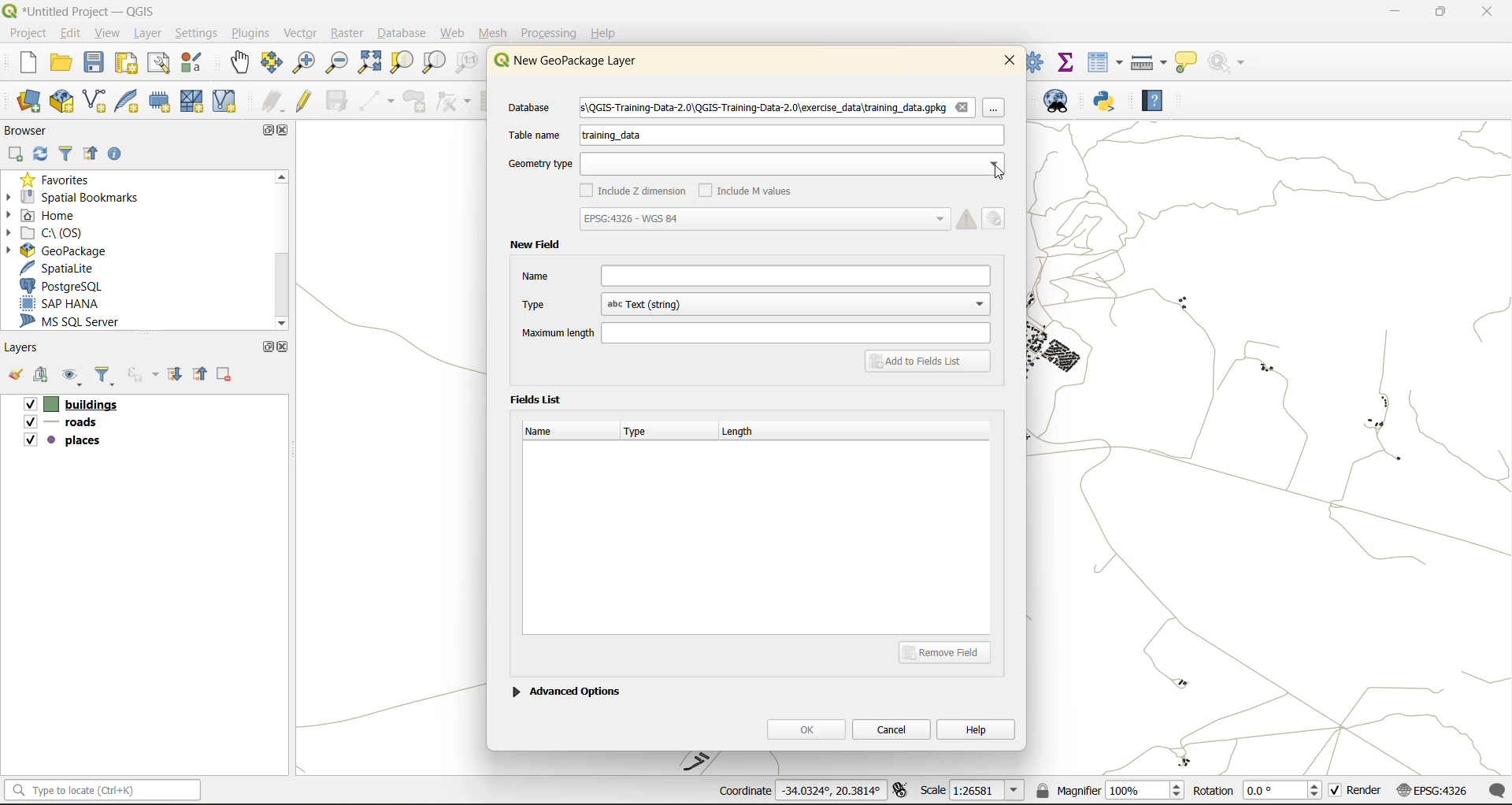  Describe the element at coordinates (29, 102) in the screenshot. I see `open data source manager` at that location.